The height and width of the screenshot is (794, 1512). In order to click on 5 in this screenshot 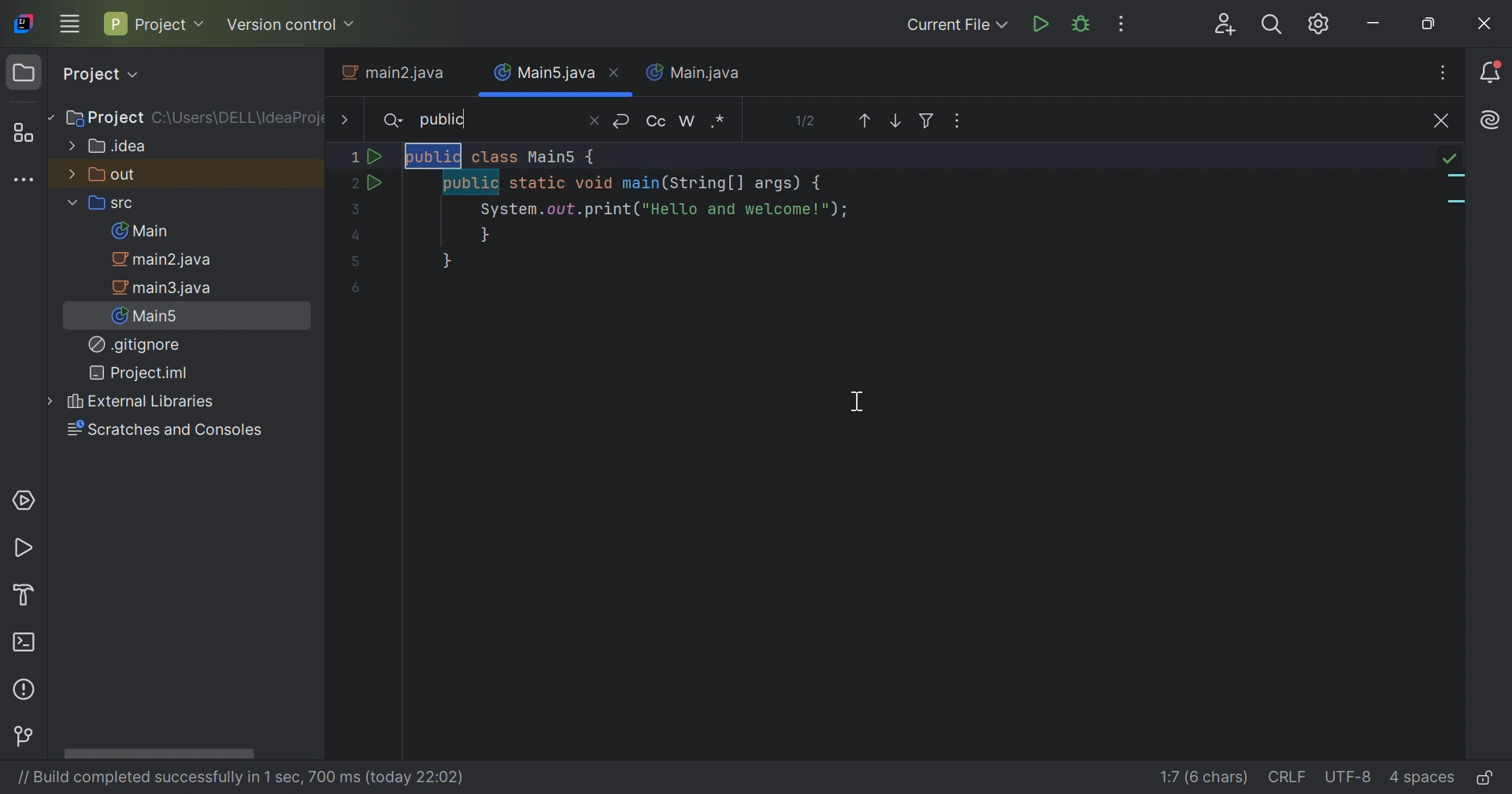, I will do `click(358, 262)`.